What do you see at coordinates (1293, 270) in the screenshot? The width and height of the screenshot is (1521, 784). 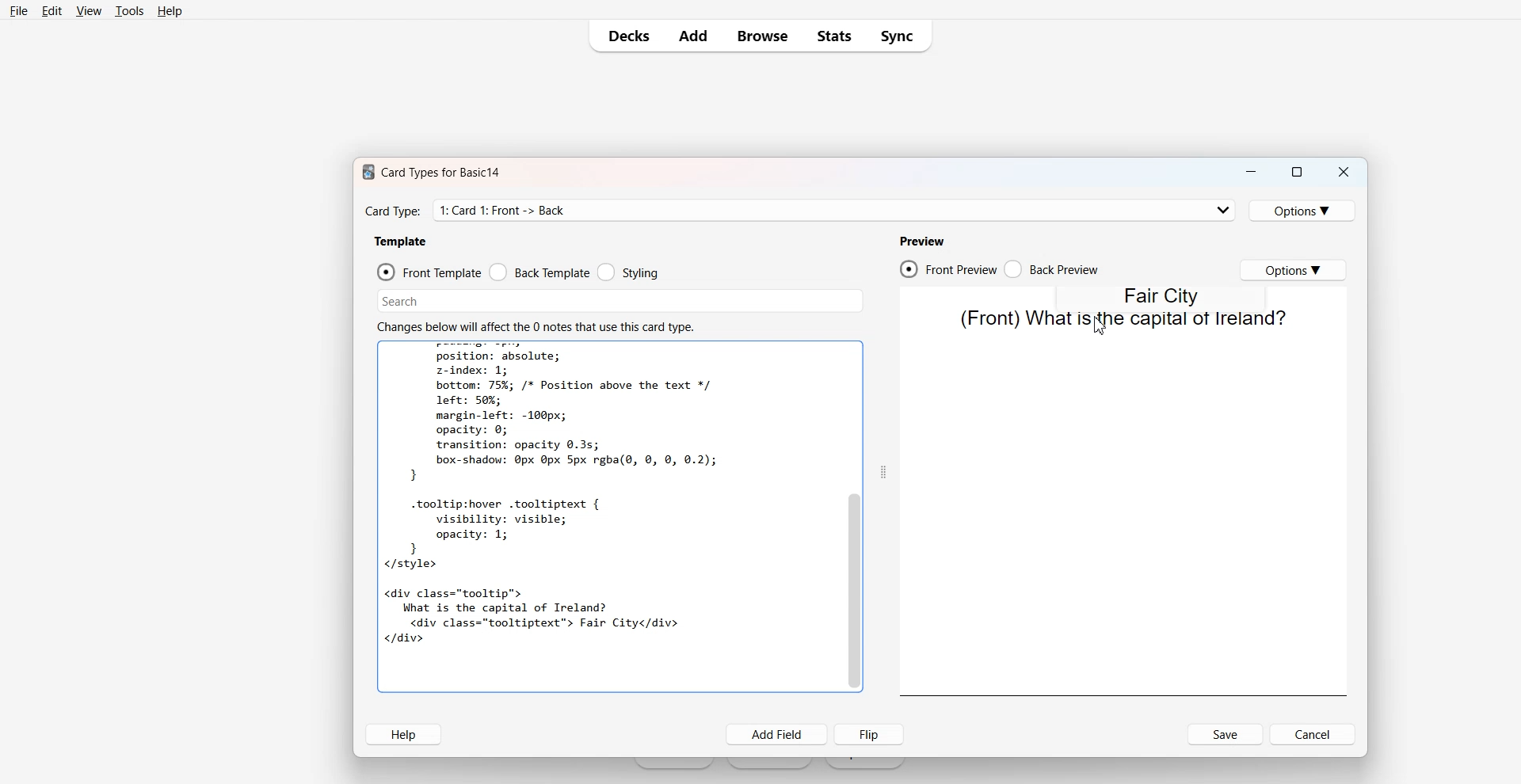 I see `Options` at bounding box center [1293, 270].